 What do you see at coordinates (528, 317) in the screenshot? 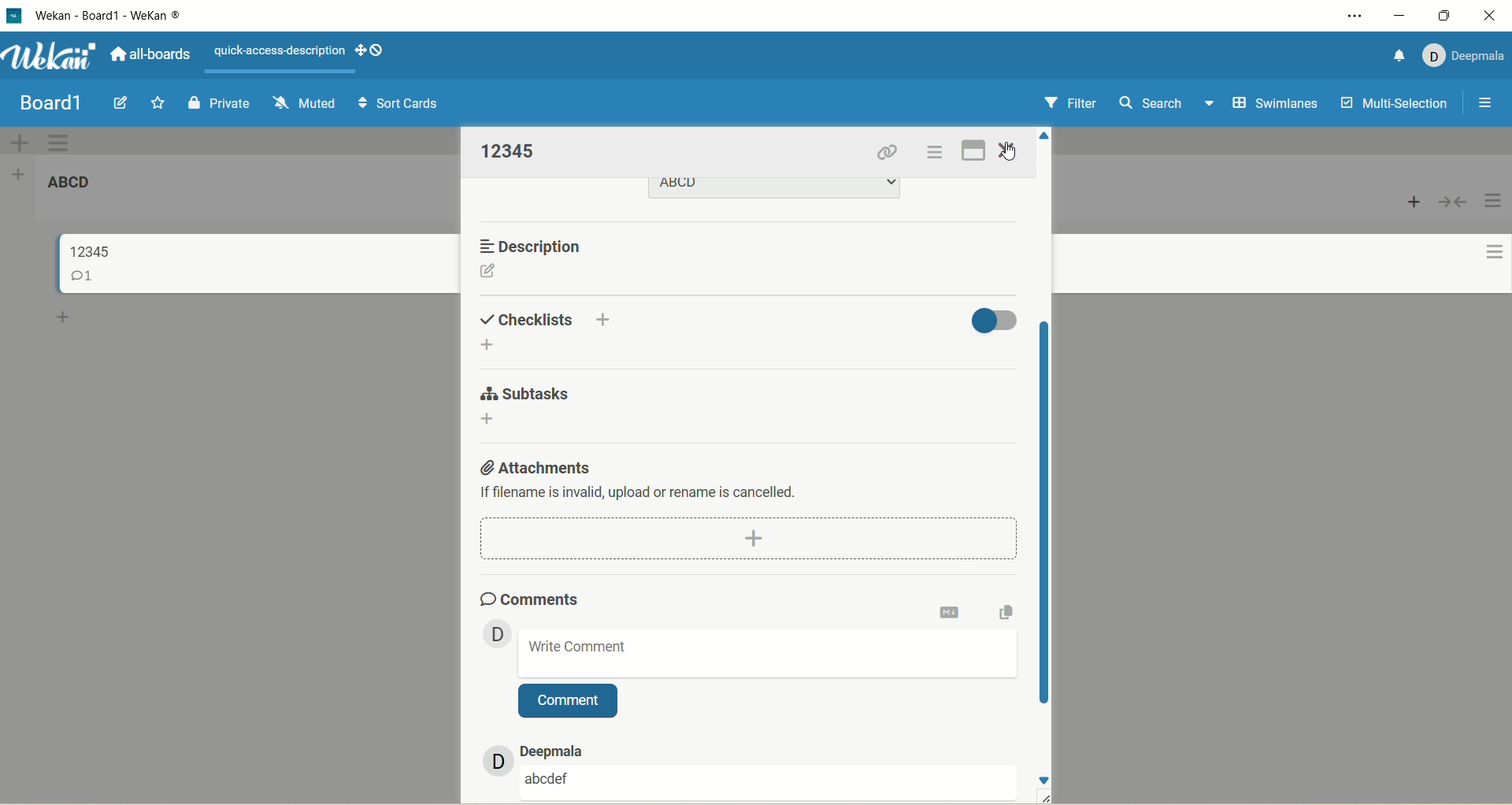
I see `checklist` at bounding box center [528, 317].